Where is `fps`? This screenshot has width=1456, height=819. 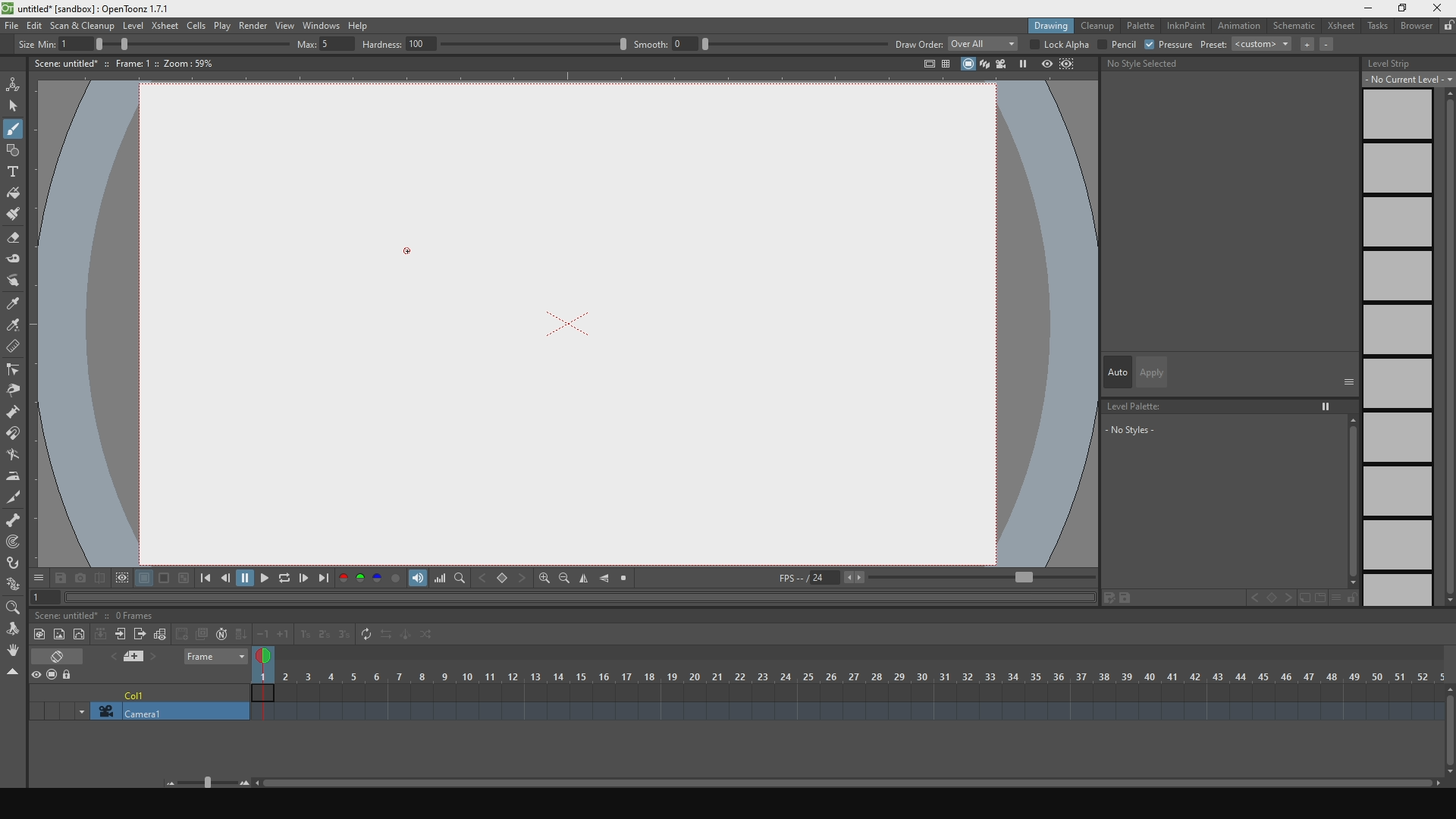 fps is located at coordinates (937, 578).